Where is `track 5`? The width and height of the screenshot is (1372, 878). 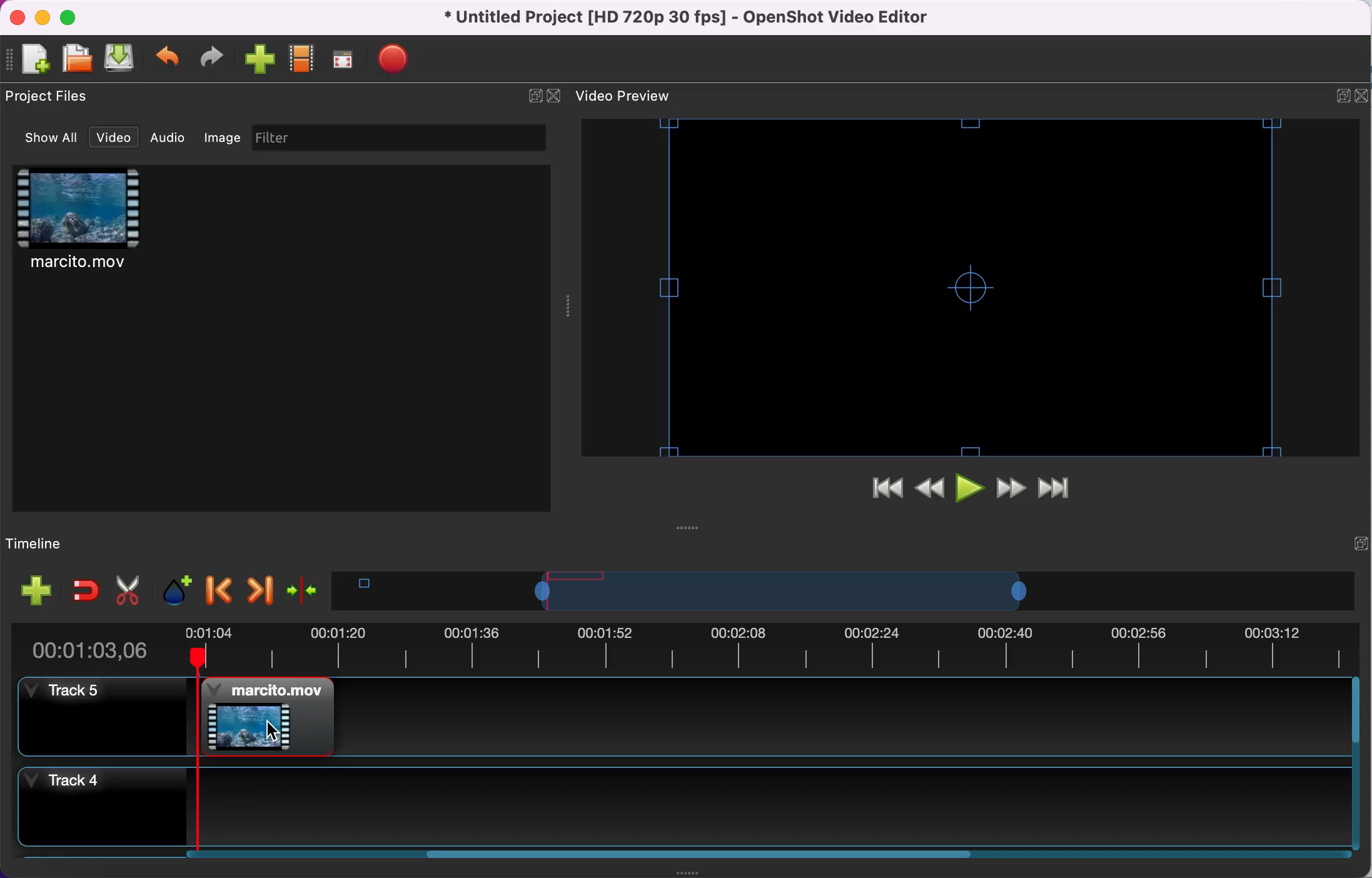 track 5 is located at coordinates (677, 717).